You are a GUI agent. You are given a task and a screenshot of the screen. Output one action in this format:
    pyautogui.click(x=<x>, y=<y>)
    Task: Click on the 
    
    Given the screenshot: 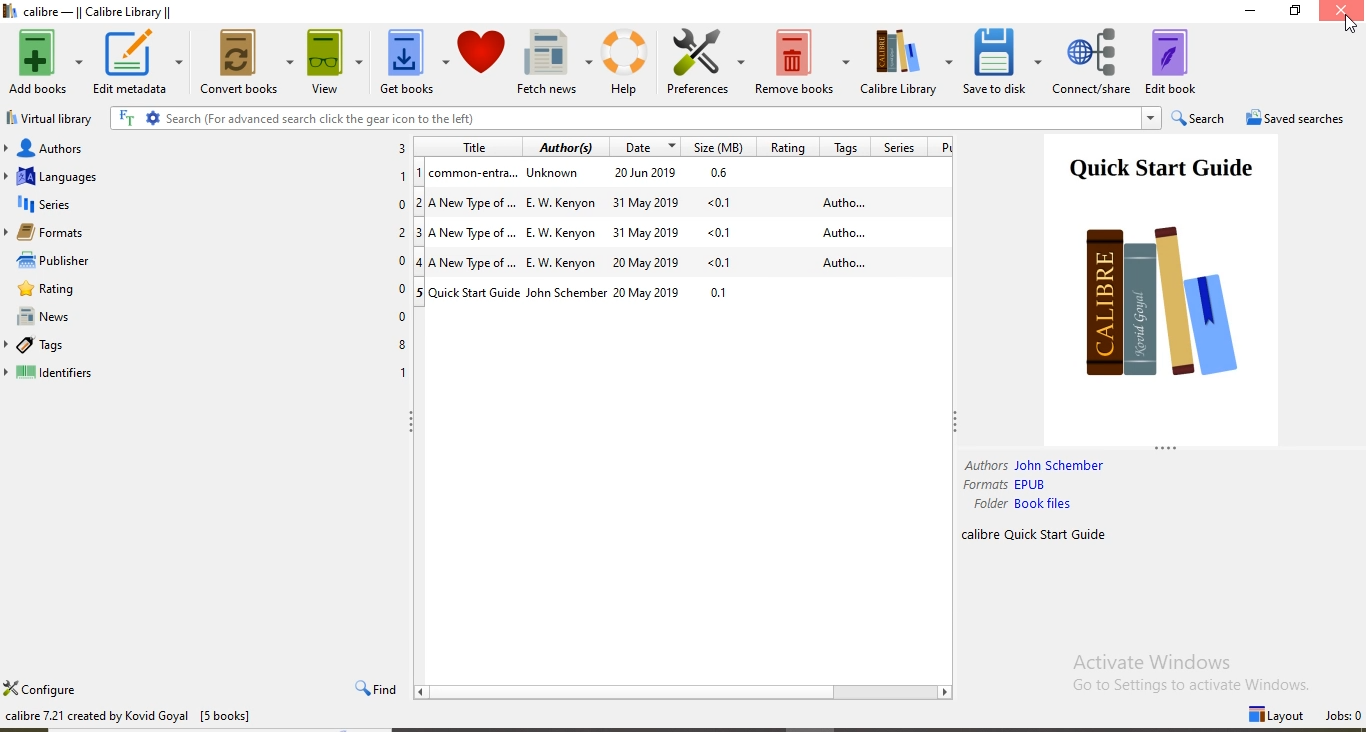 What is the action you would take?
    pyautogui.click(x=722, y=264)
    